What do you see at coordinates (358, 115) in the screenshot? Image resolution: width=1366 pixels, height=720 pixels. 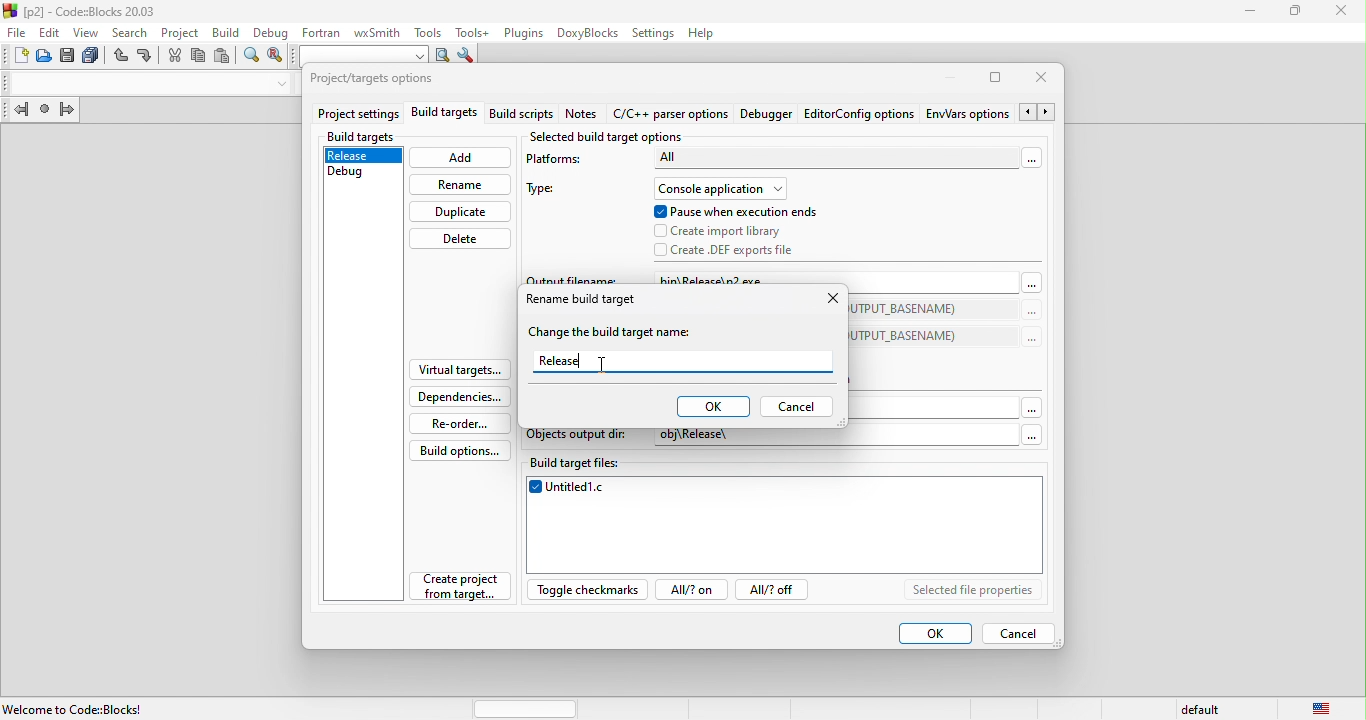 I see `project settings` at bounding box center [358, 115].